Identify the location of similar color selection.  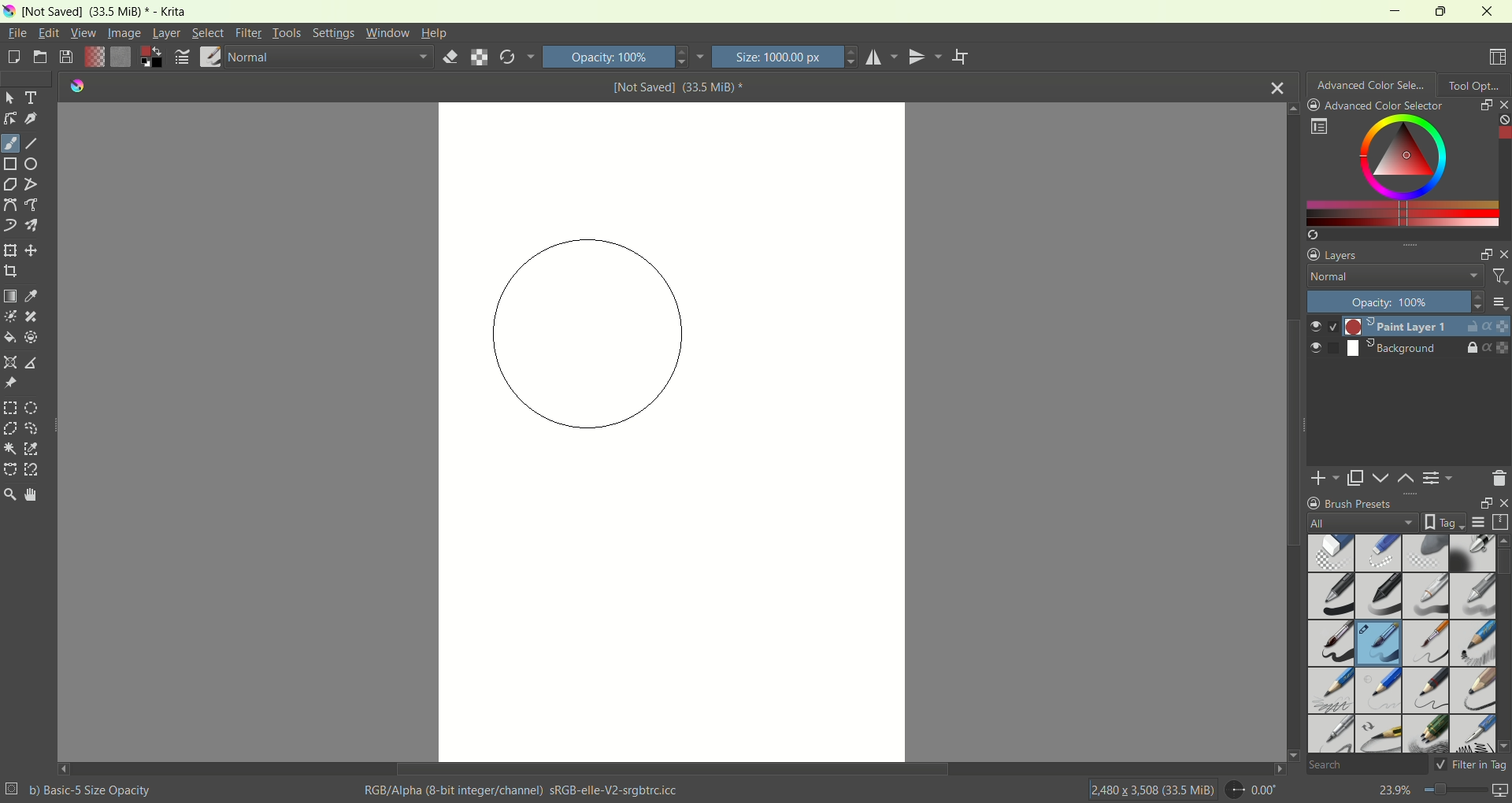
(31, 449).